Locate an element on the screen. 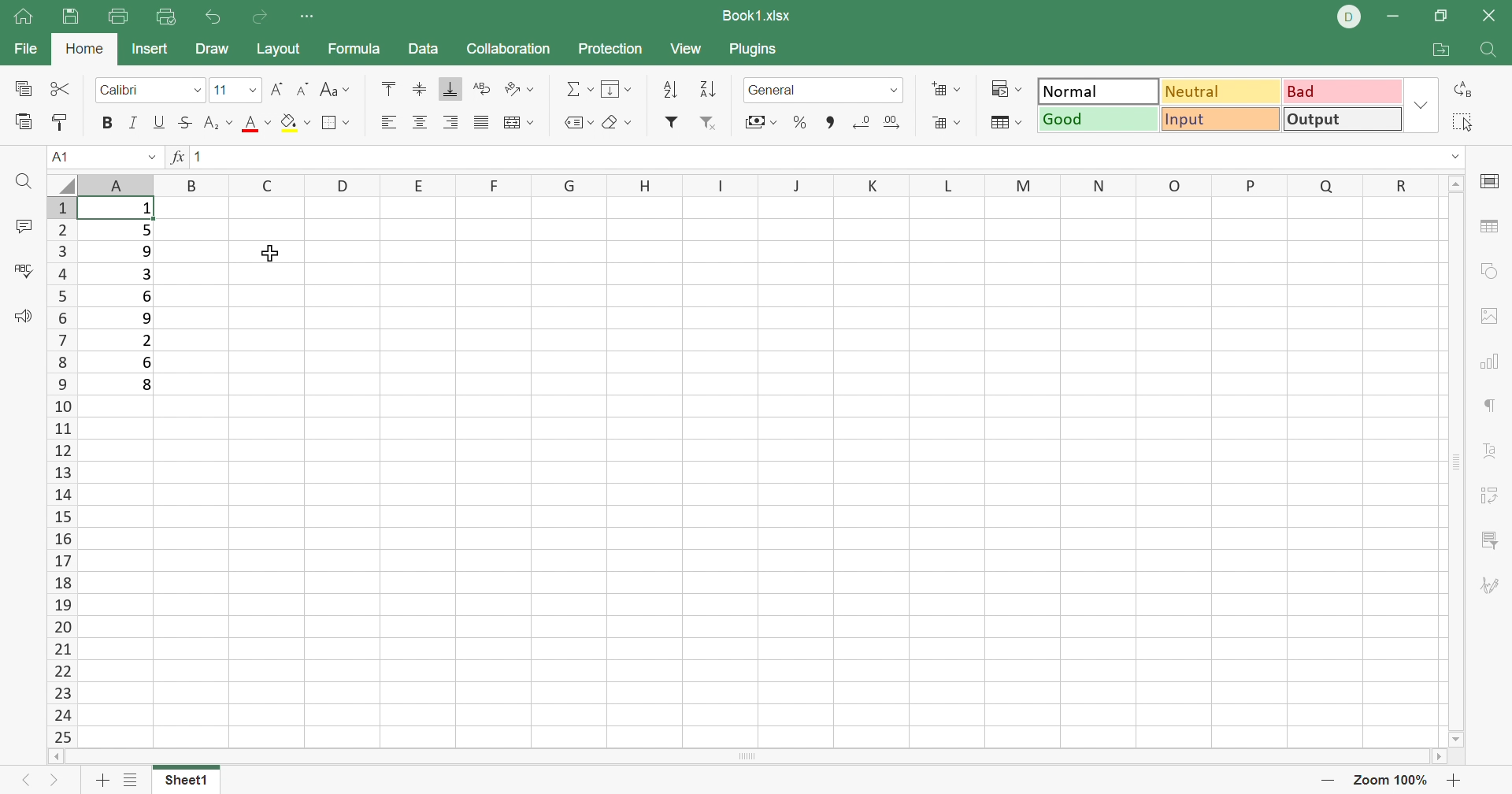  1 is located at coordinates (198, 156).